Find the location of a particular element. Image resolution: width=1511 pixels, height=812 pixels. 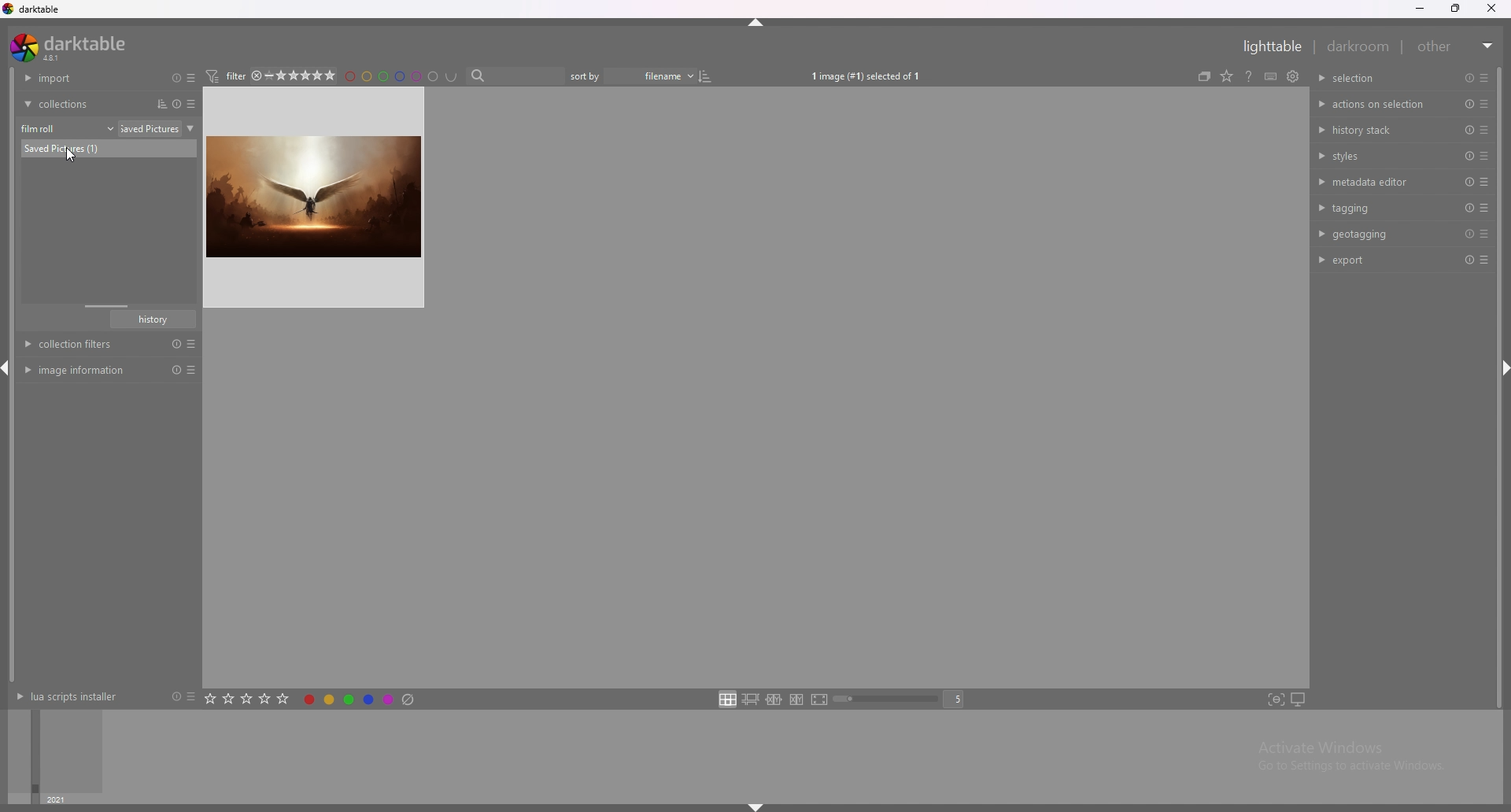

enter culling layout in fixed mode is located at coordinates (774, 700).